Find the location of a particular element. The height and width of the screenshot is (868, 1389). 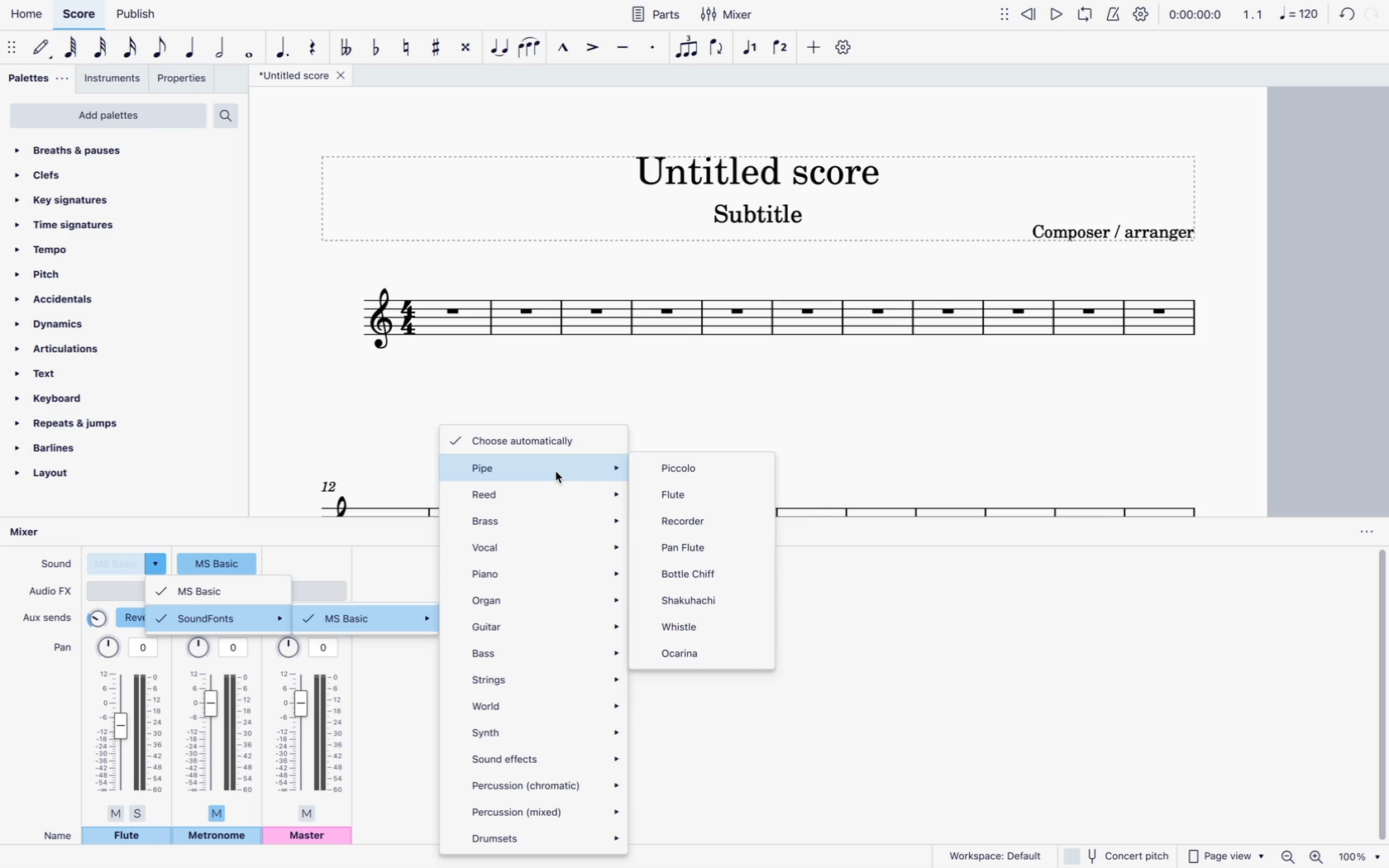

loop playback is located at coordinates (1085, 13).